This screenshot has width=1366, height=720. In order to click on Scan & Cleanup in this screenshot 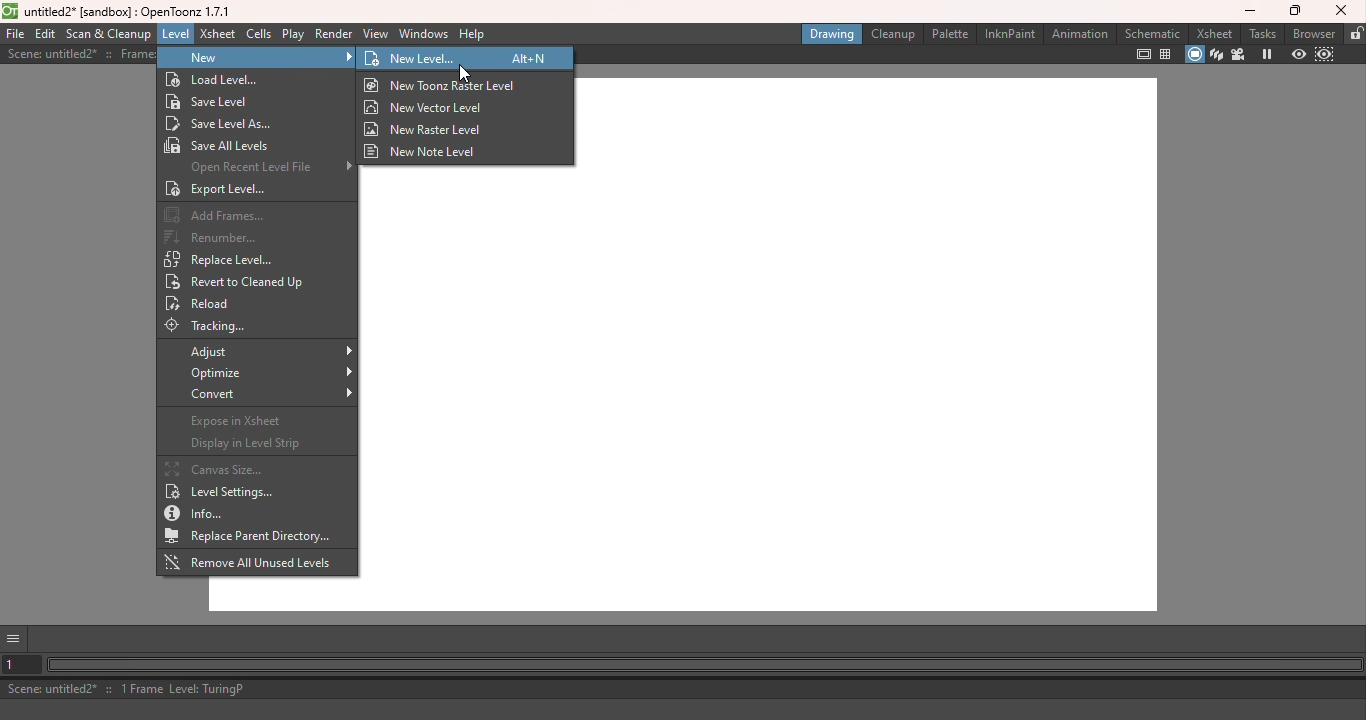, I will do `click(108, 35)`.